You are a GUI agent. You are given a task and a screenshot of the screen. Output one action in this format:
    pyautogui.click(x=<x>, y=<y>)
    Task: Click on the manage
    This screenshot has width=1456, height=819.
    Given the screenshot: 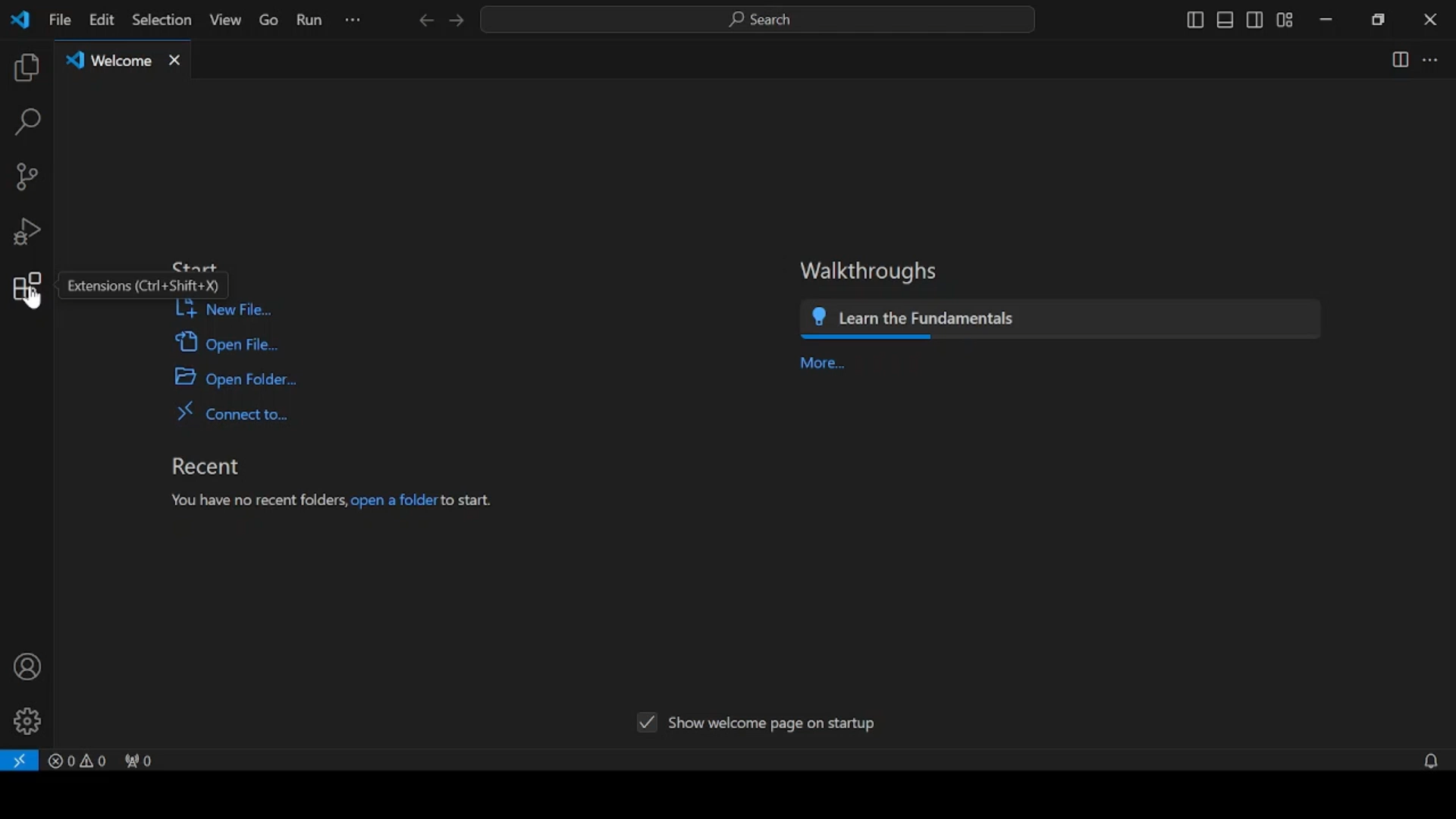 What is the action you would take?
    pyautogui.click(x=27, y=722)
    